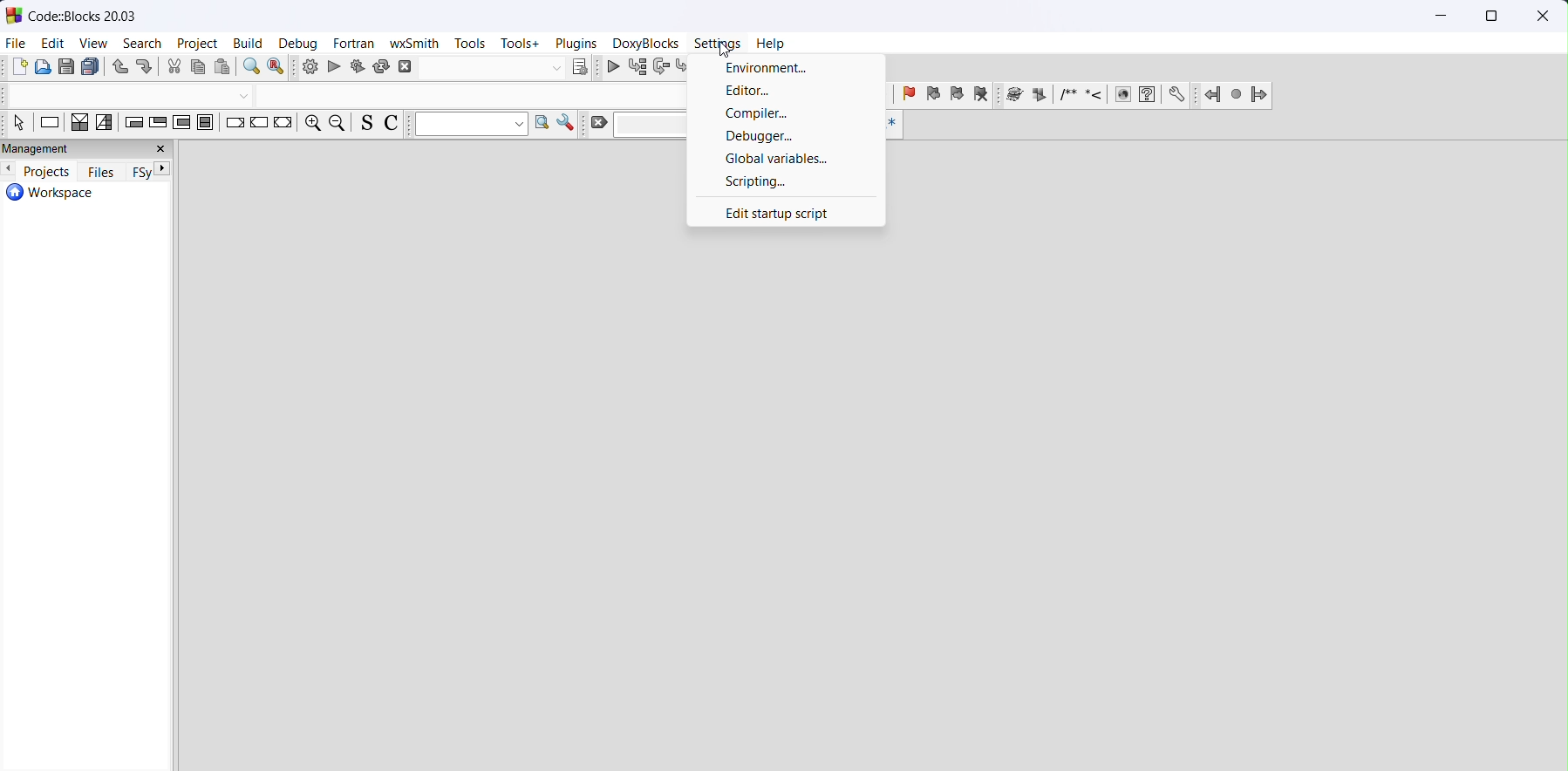 This screenshot has height=771, width=1568. What do you see at coordinates (102, 173) in the screenshot?
I see `files` at bounding box center [102, 173].